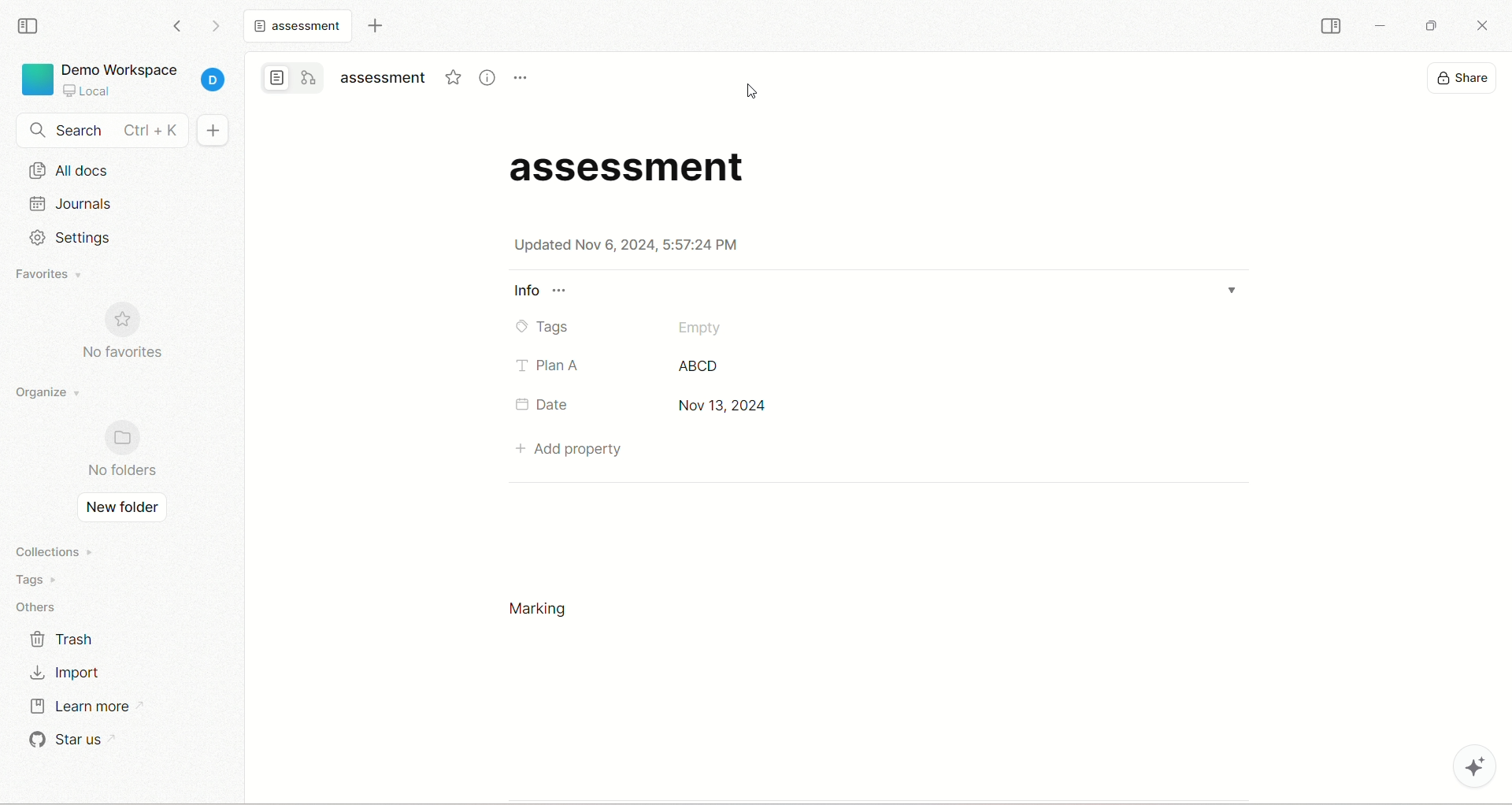 This screenshot has height=805, width=1512. What do you see at coordinates (54, 275) in the screenshot?
I see `favorites` at bounding box center [54, 275].